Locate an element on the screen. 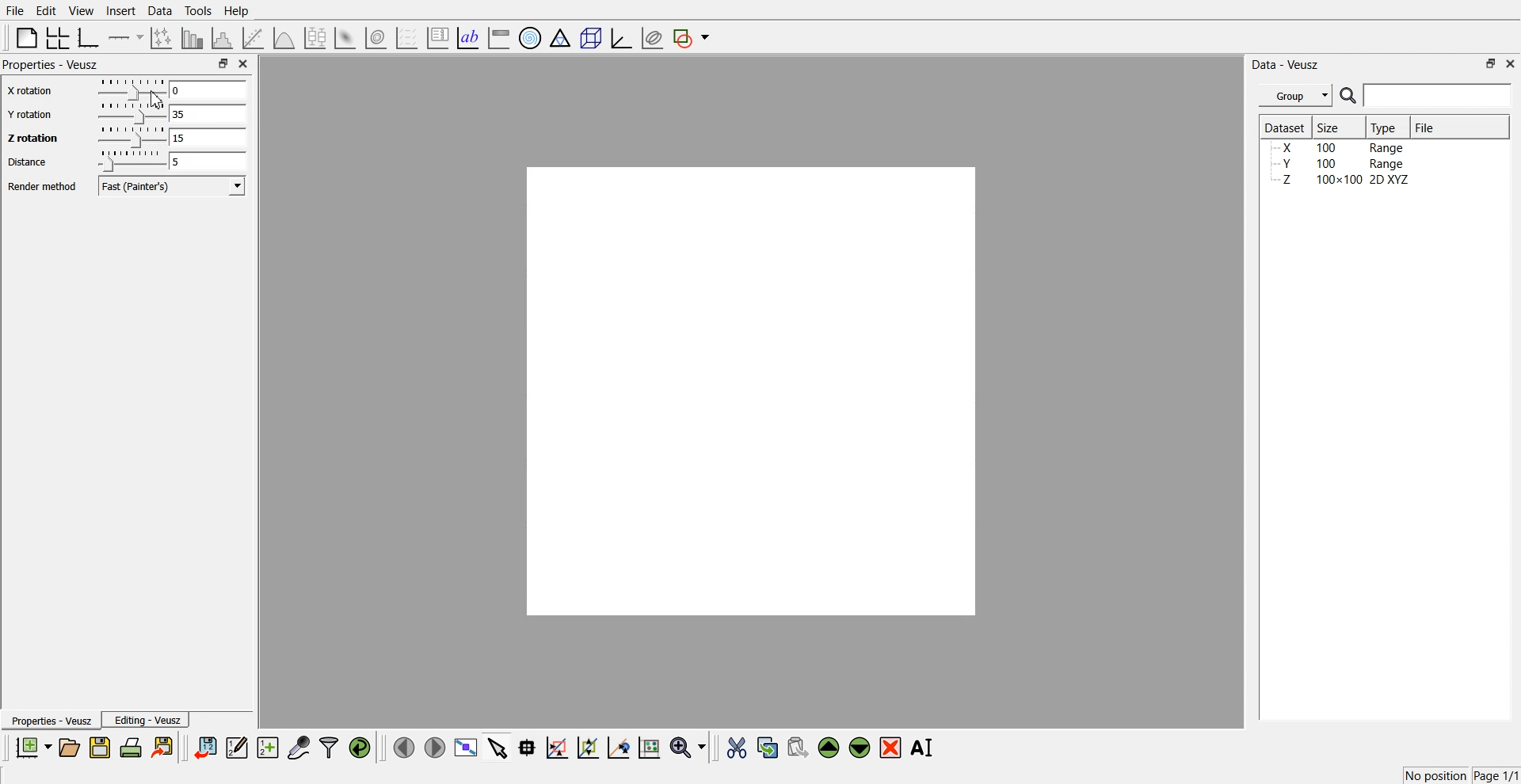 The width and height of the screenshot is (1521, 784). Edit is located at coordinates (45, 11).